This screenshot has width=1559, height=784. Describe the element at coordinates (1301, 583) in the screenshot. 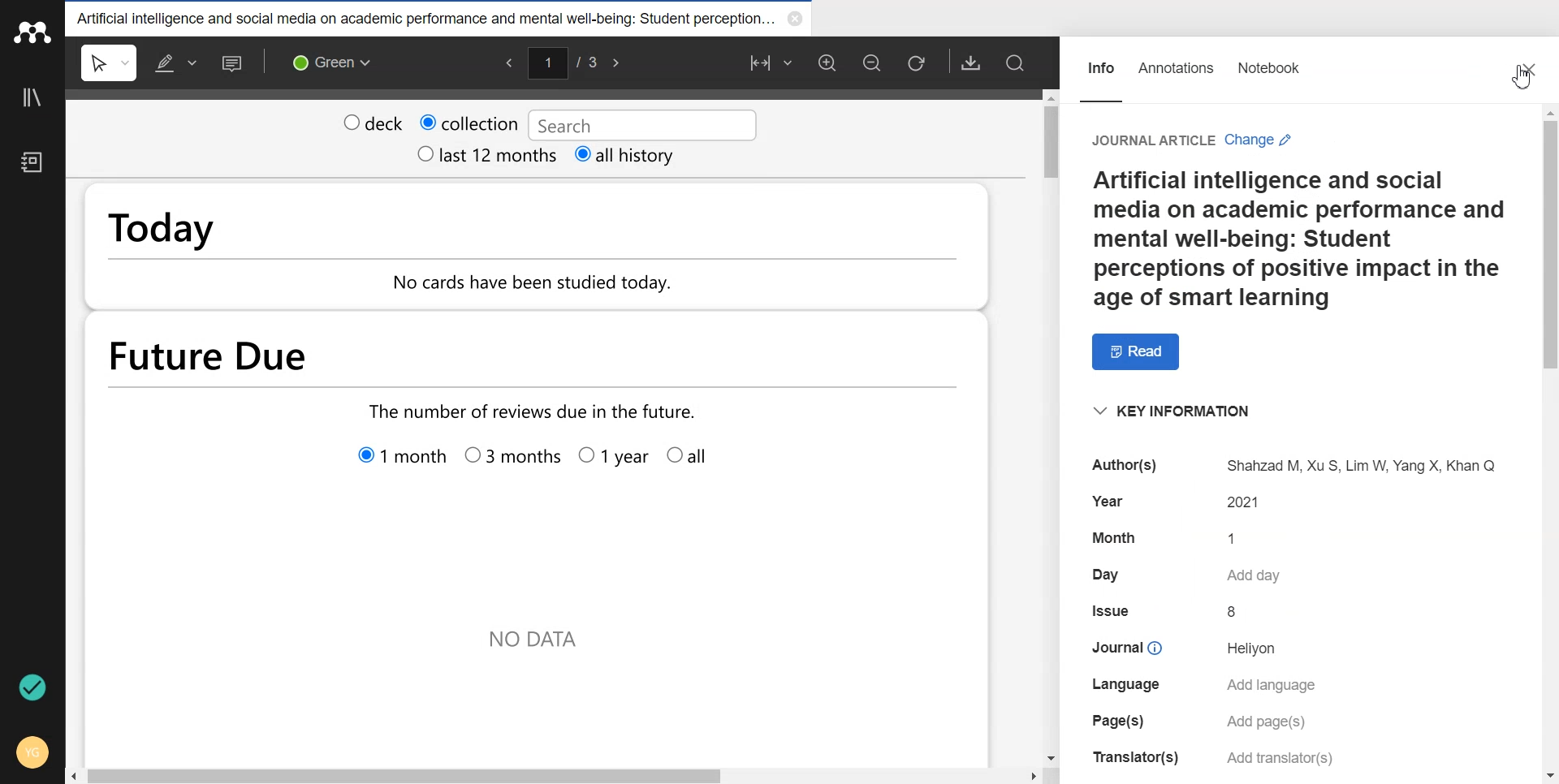

I see `Key information about authors, year, month, day, issue, journal and so on.` at that location.